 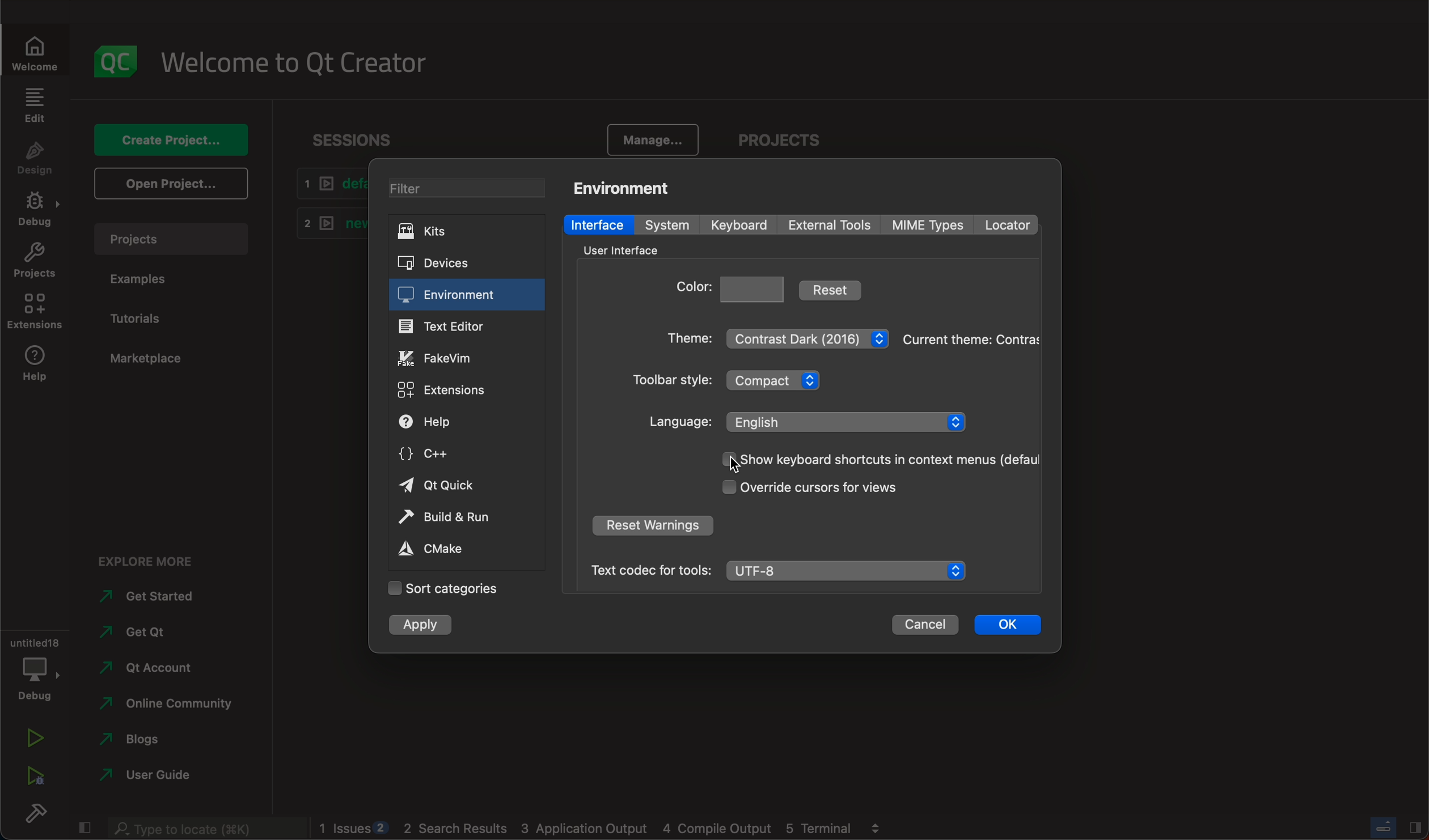 I want to click on logo, so click(x=111, y=59).